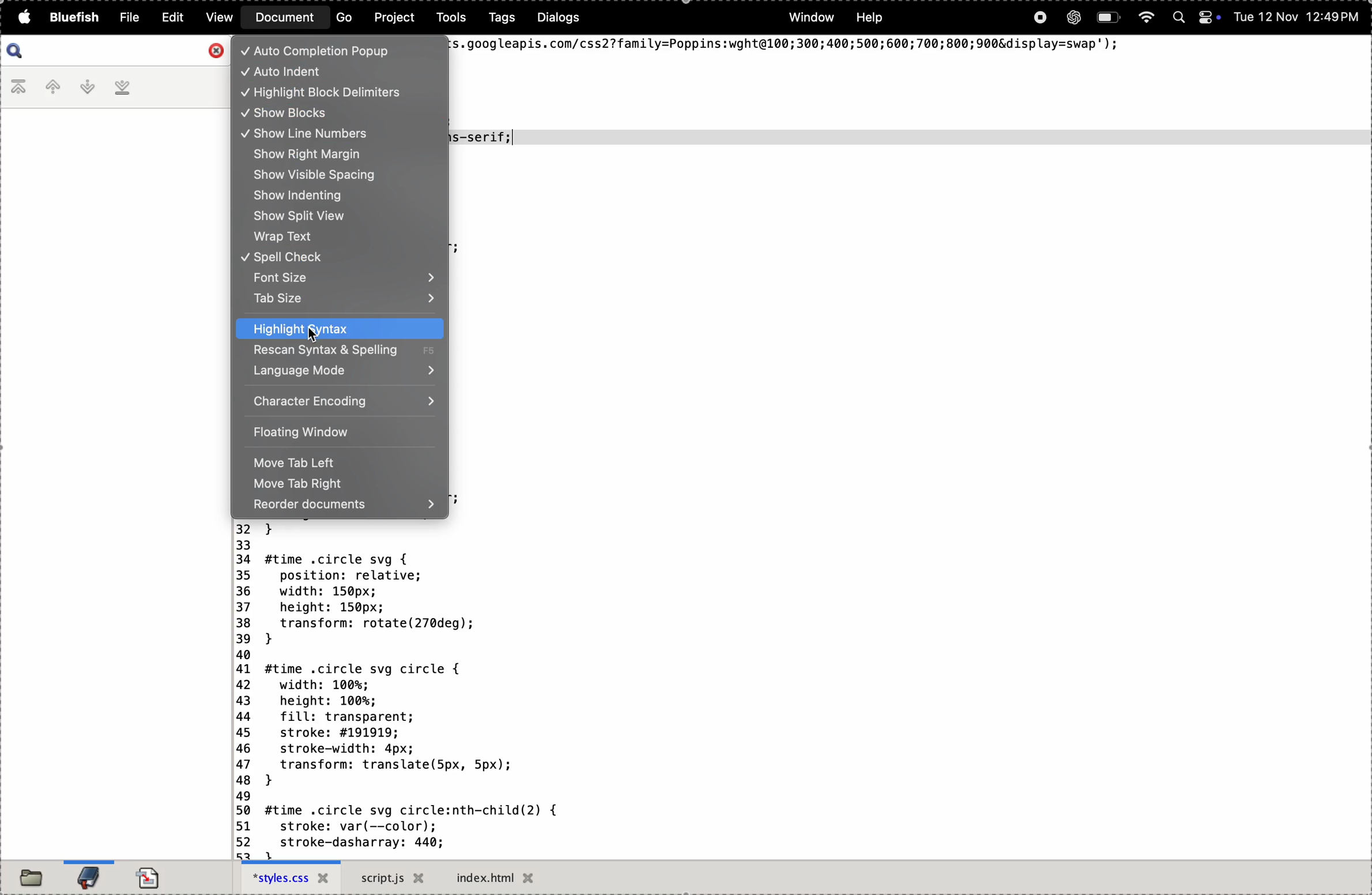  What do you see at coordinates (393, 19) in the screenshot?
I see `project` at bounding box center [393, 19].